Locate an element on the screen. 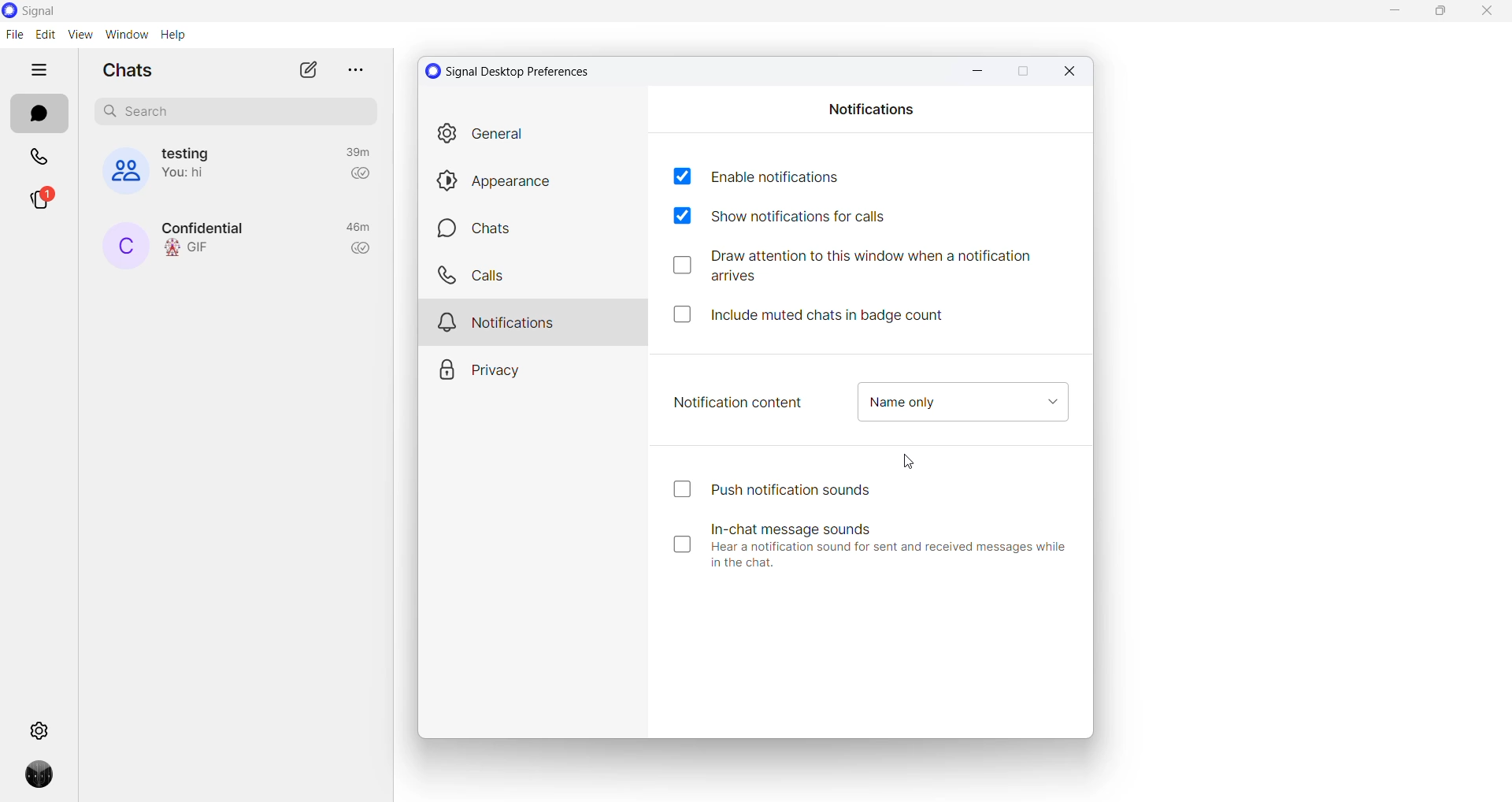 The image size is (1512, 802). view is located at coordinates (79, 35).